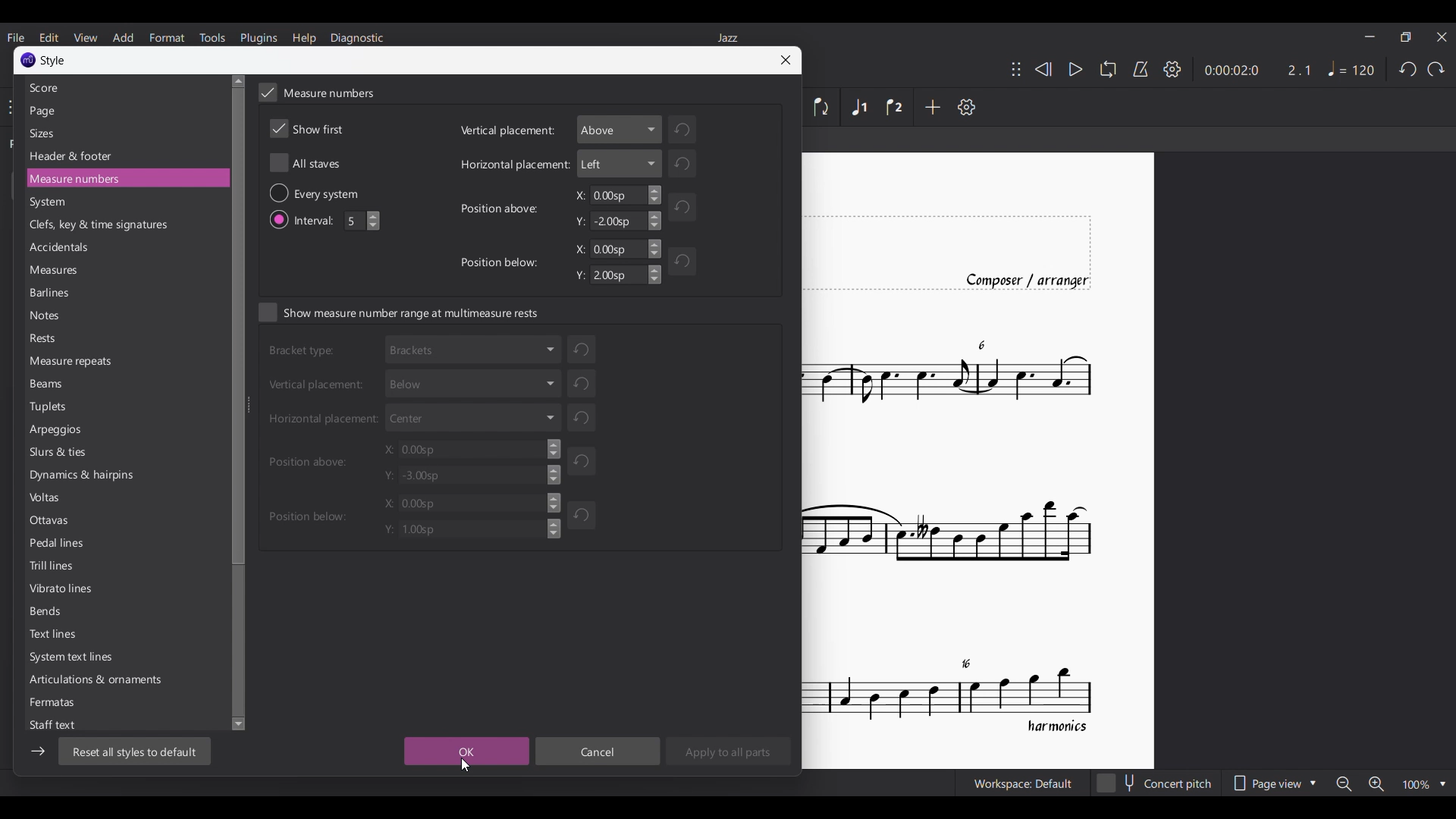 The image size is (1456, 819). I want to click on Size, so click(45, 133).